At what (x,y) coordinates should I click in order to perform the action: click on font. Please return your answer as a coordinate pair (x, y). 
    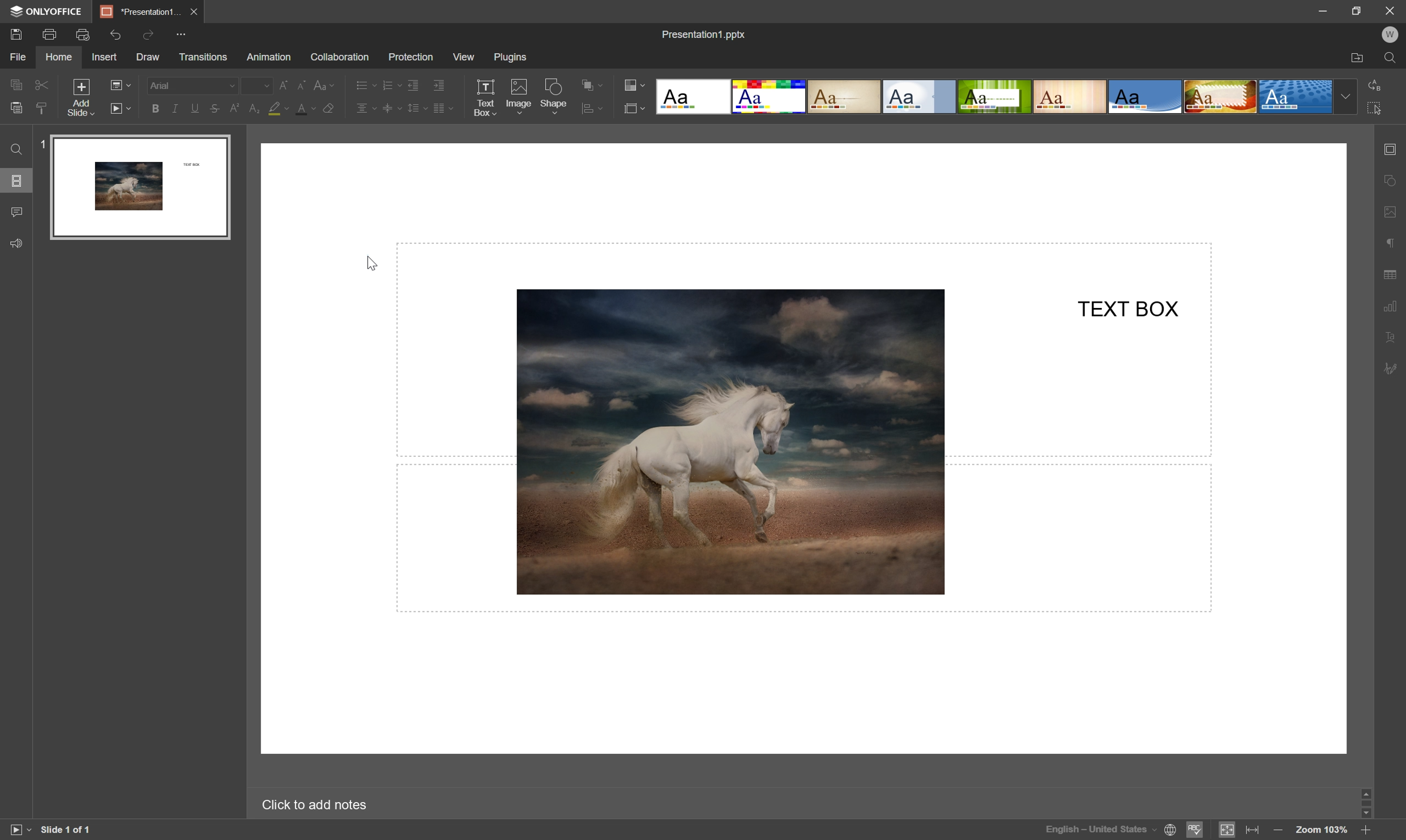
    Looking at the image, I should click on (191, 84).